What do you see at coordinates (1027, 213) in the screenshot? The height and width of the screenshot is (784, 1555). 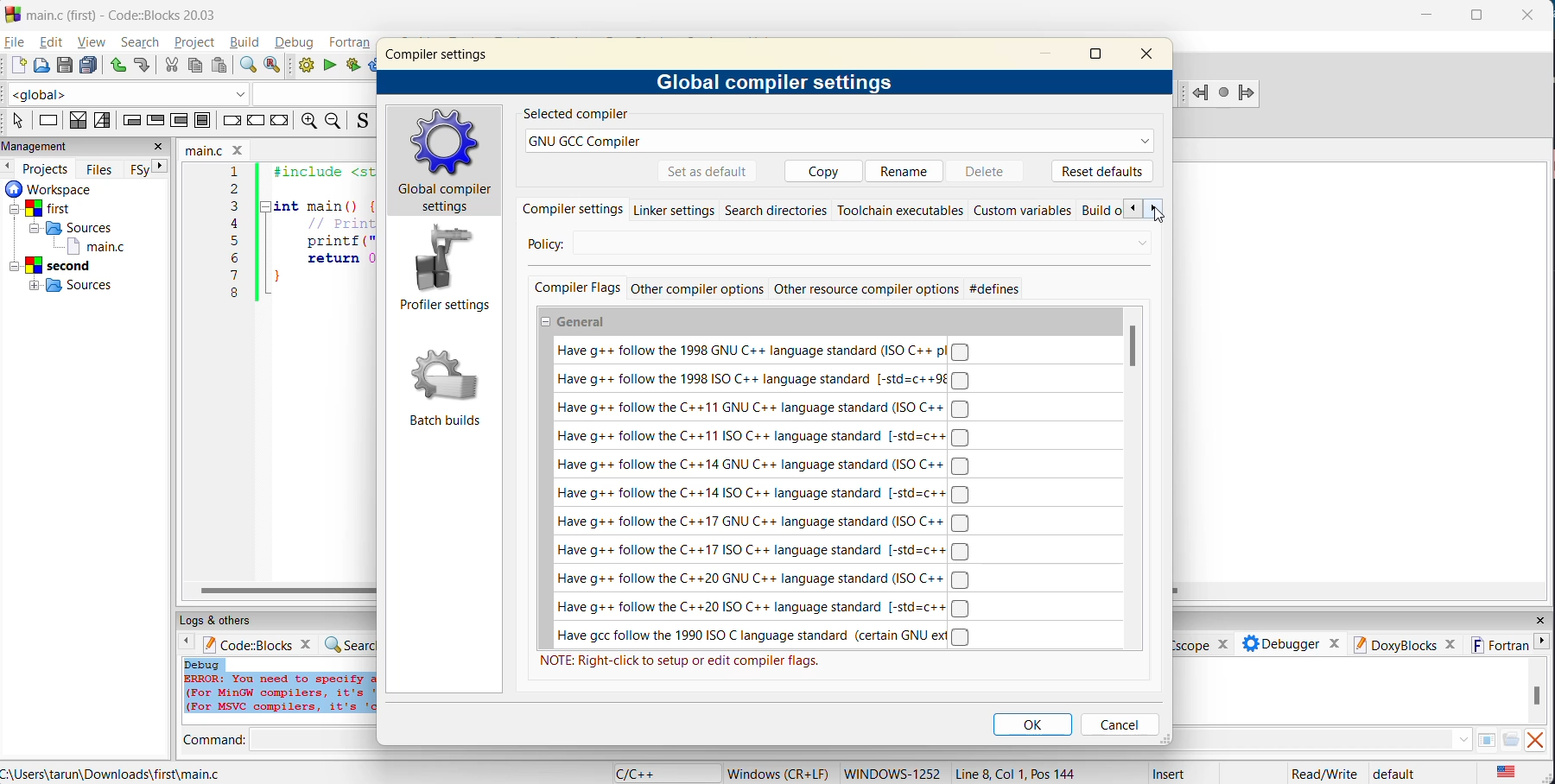 I see `custom variables` at bounding box center [1027, 213].